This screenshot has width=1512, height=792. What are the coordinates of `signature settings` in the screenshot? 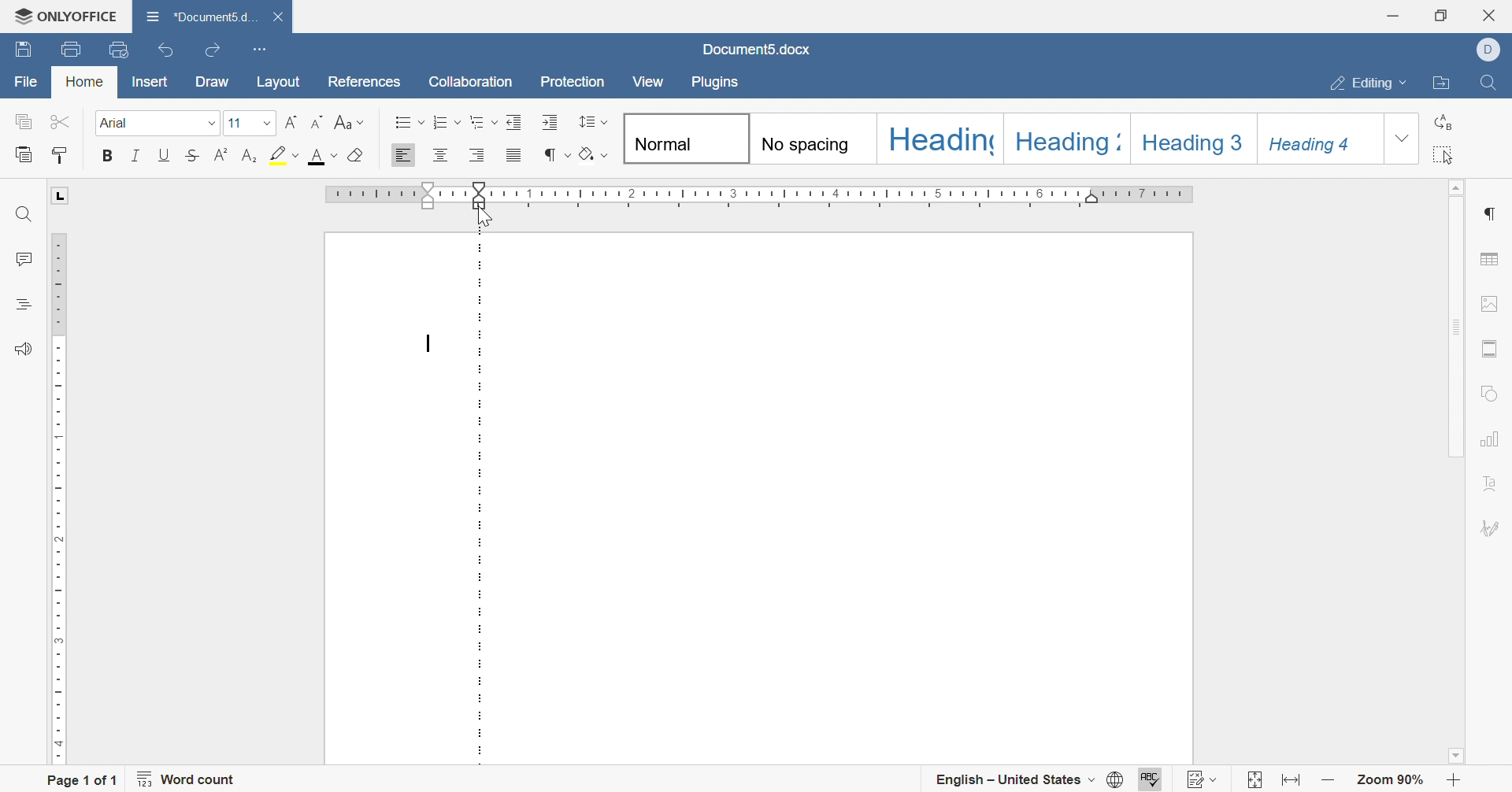 It's located at (1492, 527).